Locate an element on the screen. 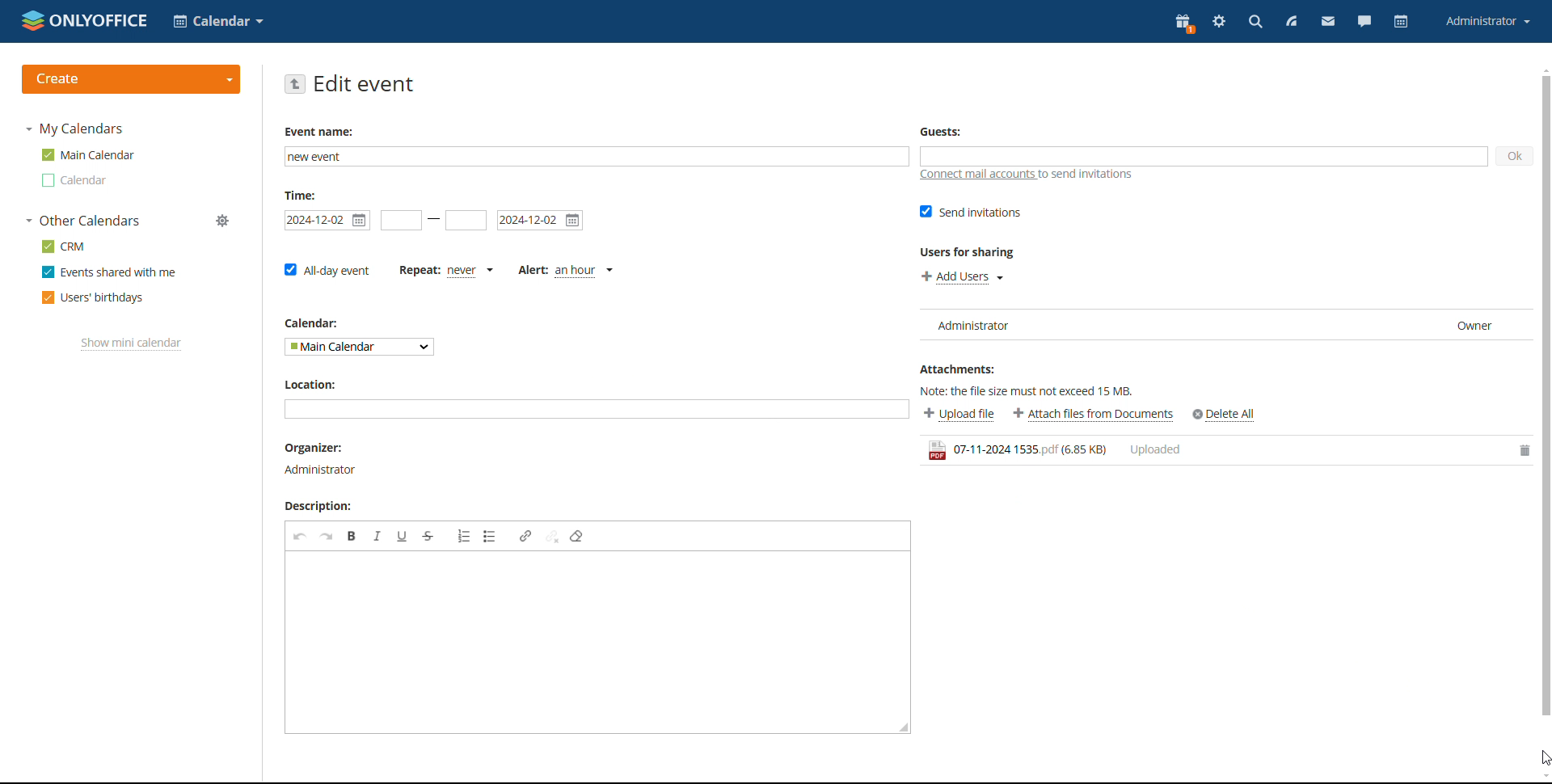 This screenshot has width=1552, height=784. other calendars is located at coordinates (82, 221).